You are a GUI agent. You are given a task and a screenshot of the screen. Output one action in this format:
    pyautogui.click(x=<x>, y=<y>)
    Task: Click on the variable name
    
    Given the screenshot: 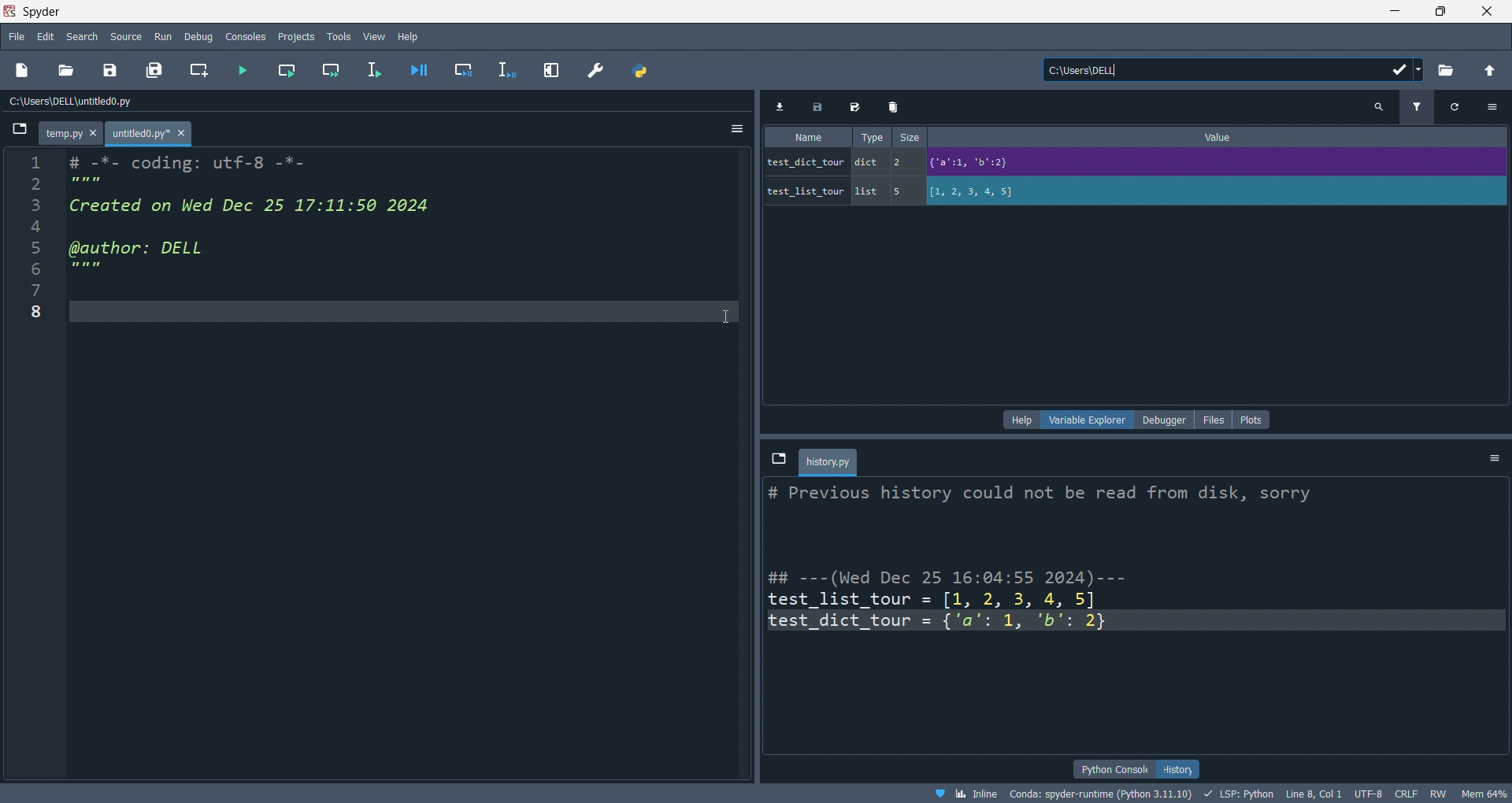 What is the action you would take?
    pyautogui.click(x=805, y=161)
    